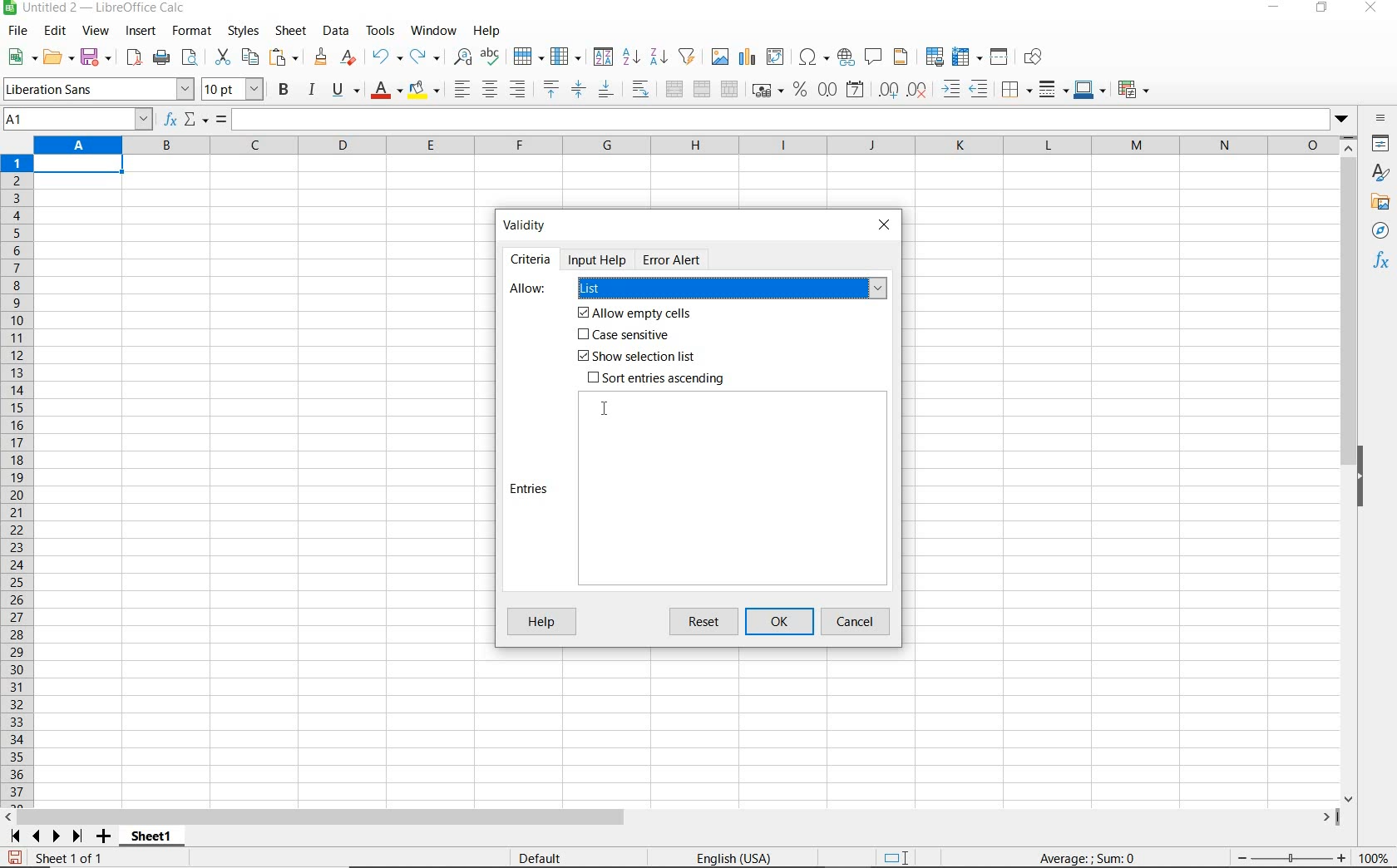 Image resolution: width=1397 pixels, height=868 pixels. What do you see at coordinates (1017, 90) in the screenshot?
I see `borders` at bounding box center [1017, 90].